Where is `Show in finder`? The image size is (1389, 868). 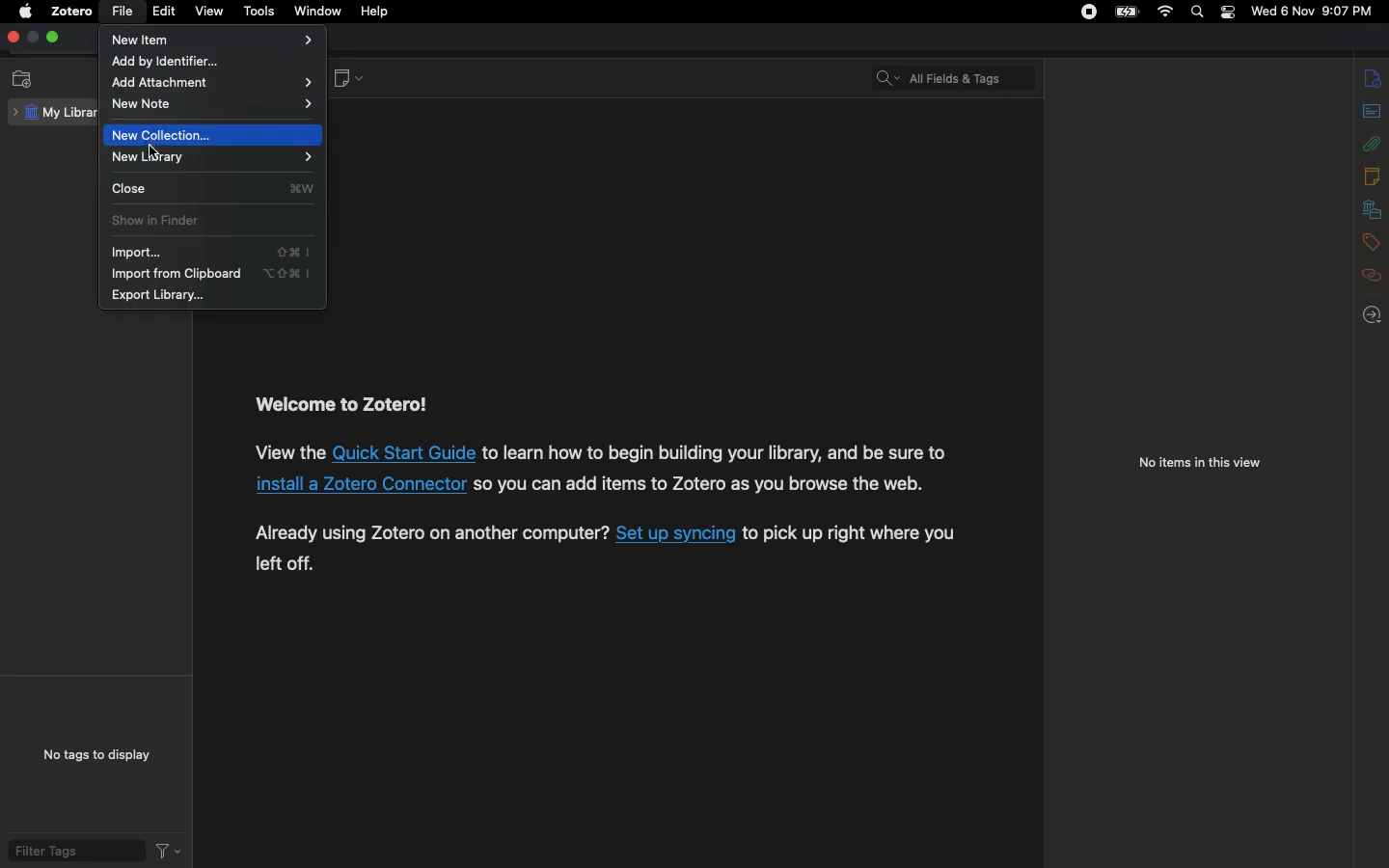
Show in finder is located at coordinates (160, 223).